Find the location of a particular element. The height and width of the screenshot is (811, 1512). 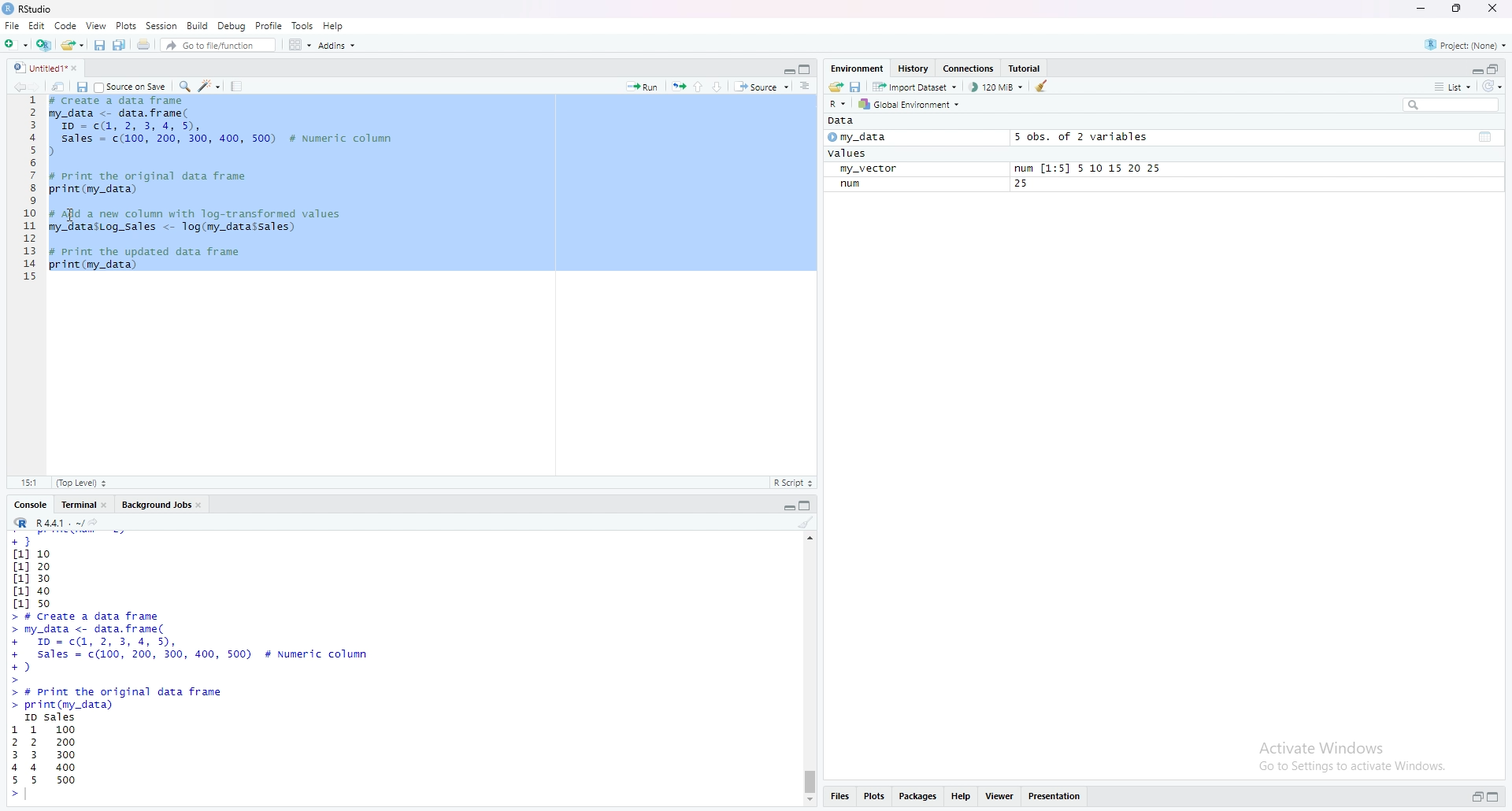

Data is located at coordinates (843, 123).